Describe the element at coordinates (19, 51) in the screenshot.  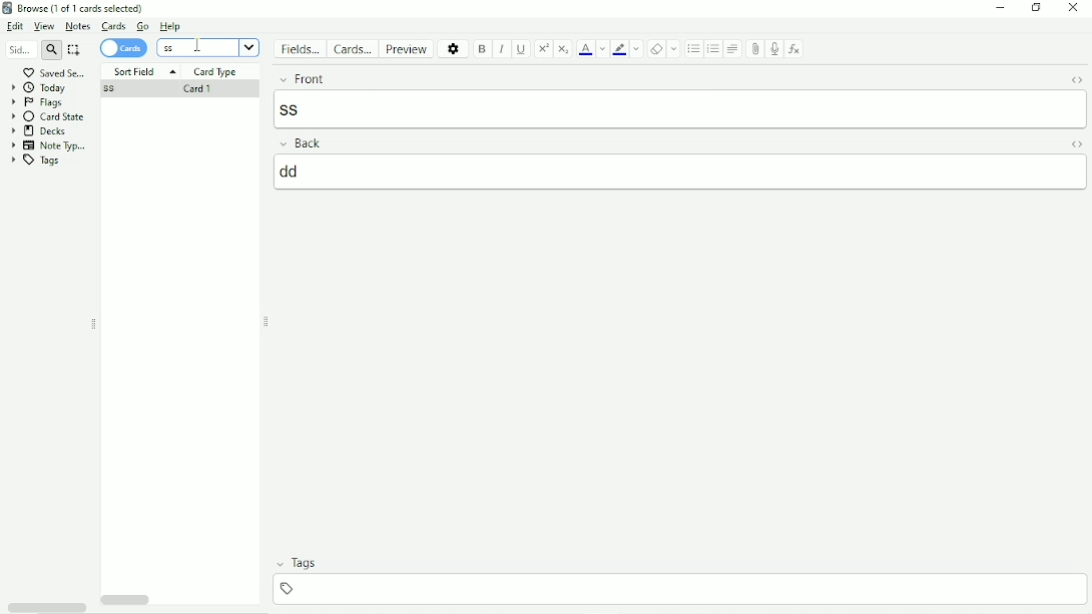
I see `Search in sidebar` at that location.